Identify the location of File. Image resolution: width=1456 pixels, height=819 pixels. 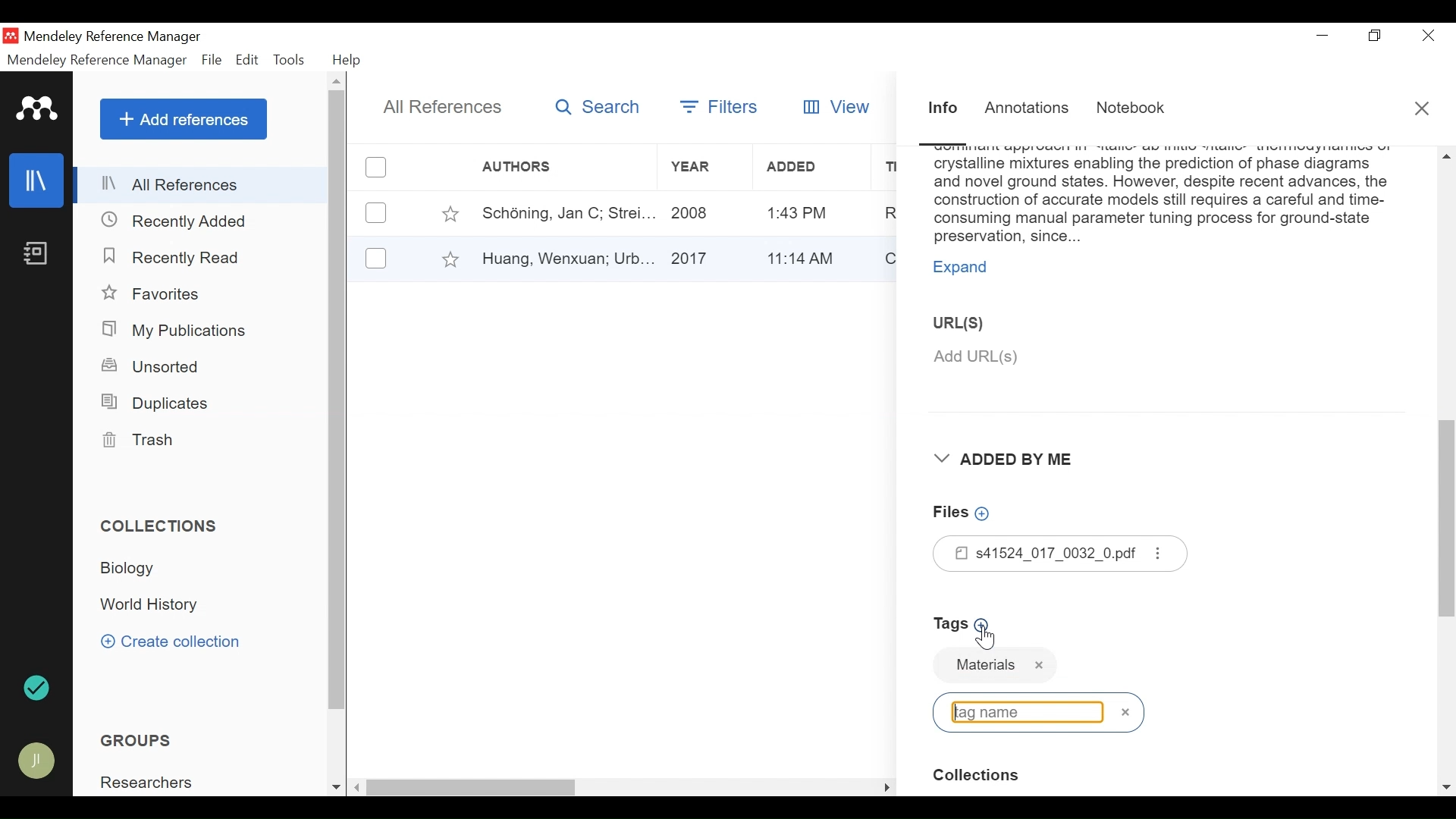
(212, 61).